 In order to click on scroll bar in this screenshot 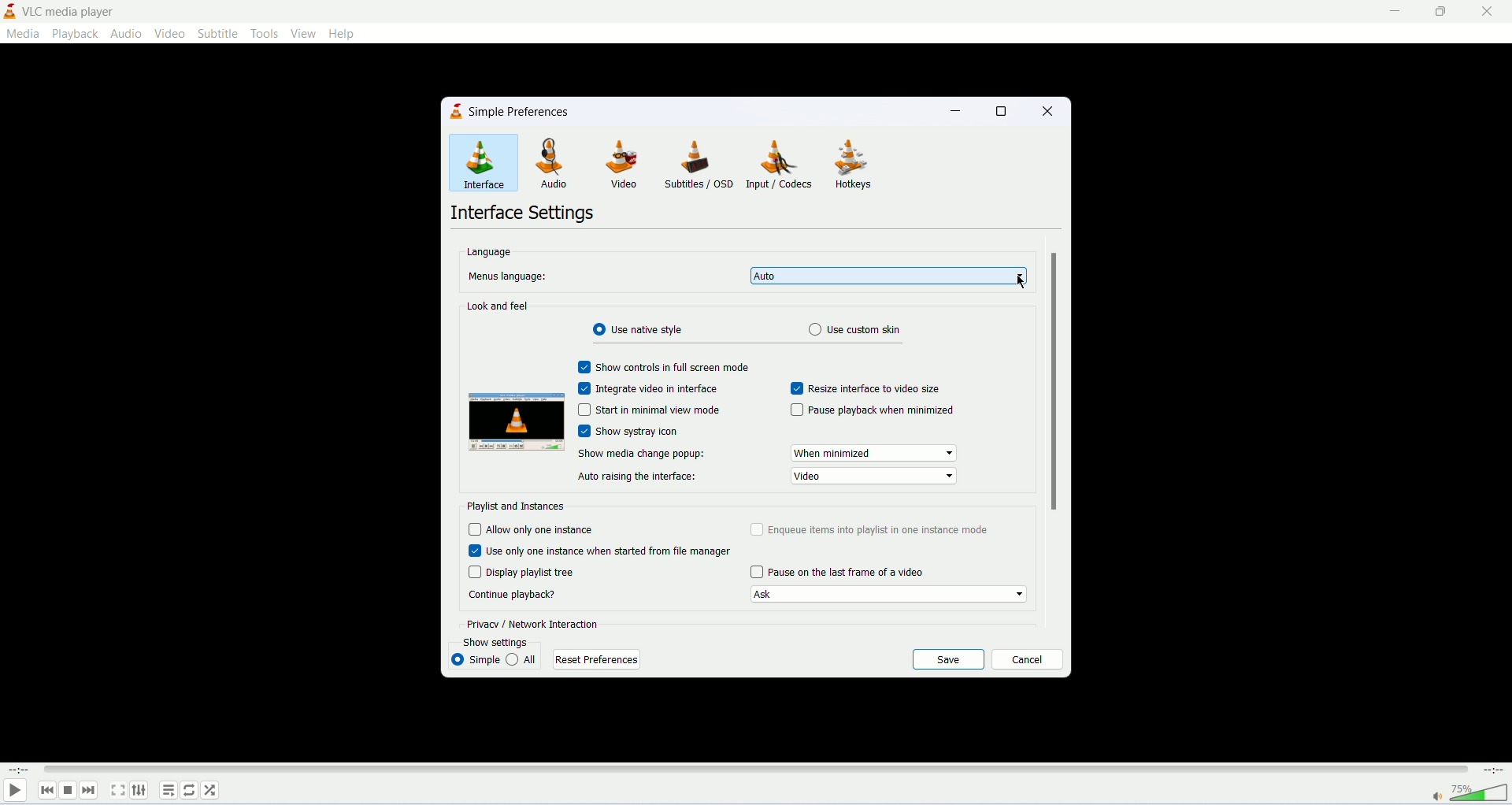, I will do `click(1052, 380)`.